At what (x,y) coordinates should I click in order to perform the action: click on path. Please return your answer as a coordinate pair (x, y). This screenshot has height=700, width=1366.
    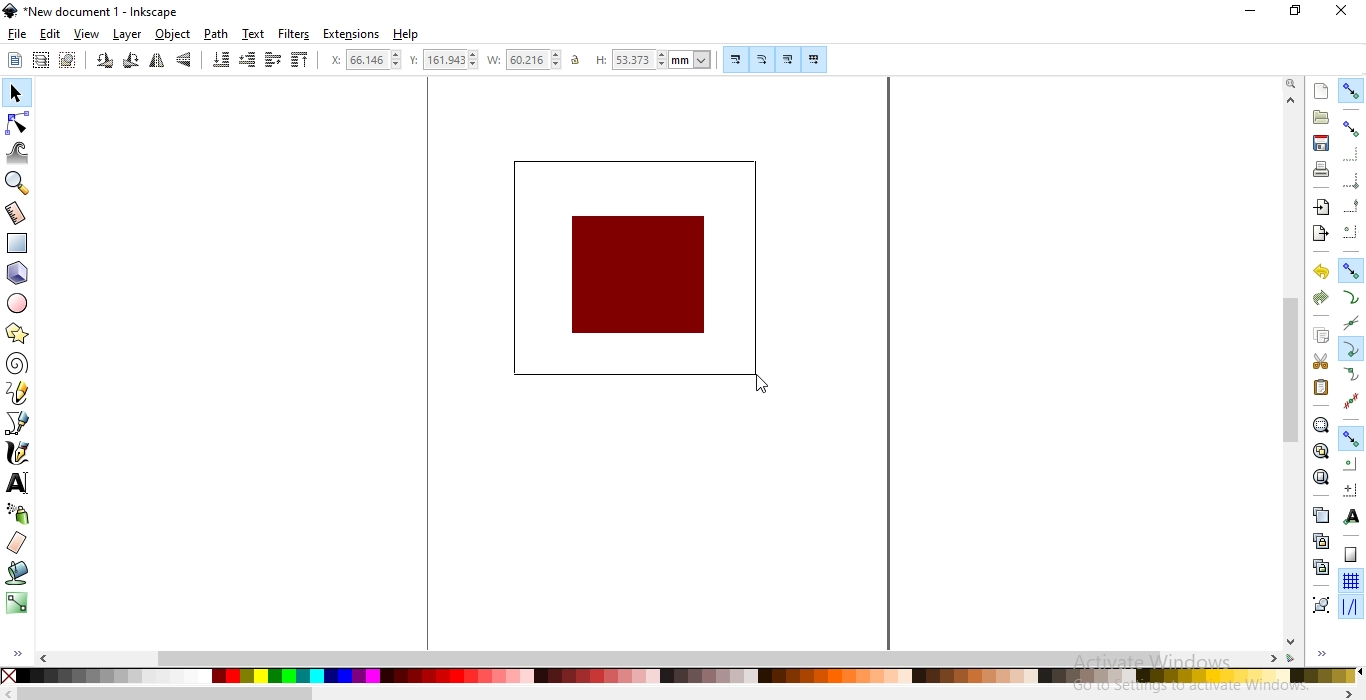
    Looking at the image, I should click on (216, 34).